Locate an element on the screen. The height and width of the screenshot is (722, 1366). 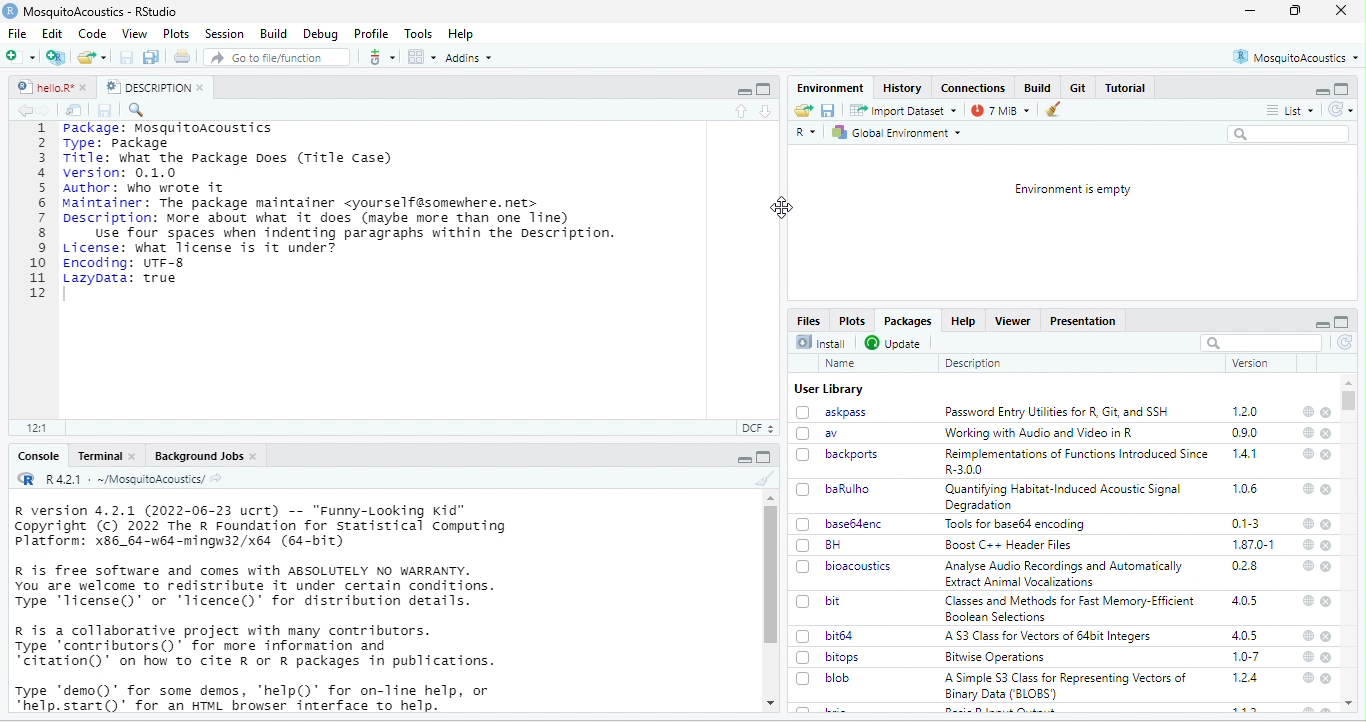
forward is located at coordinates (47, 110).